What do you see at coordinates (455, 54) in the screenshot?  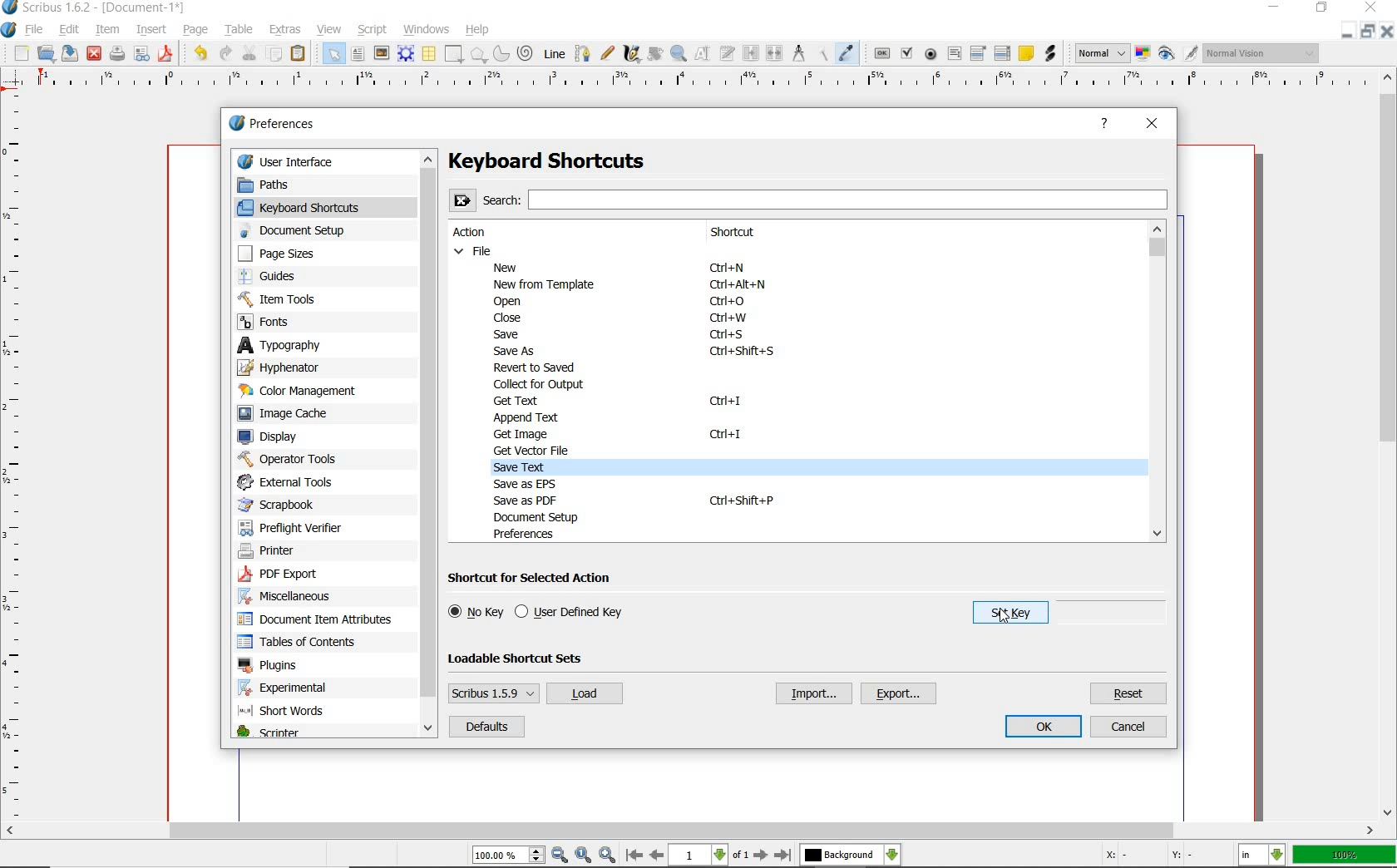 I see `shape` at bounding box center [455, 54].